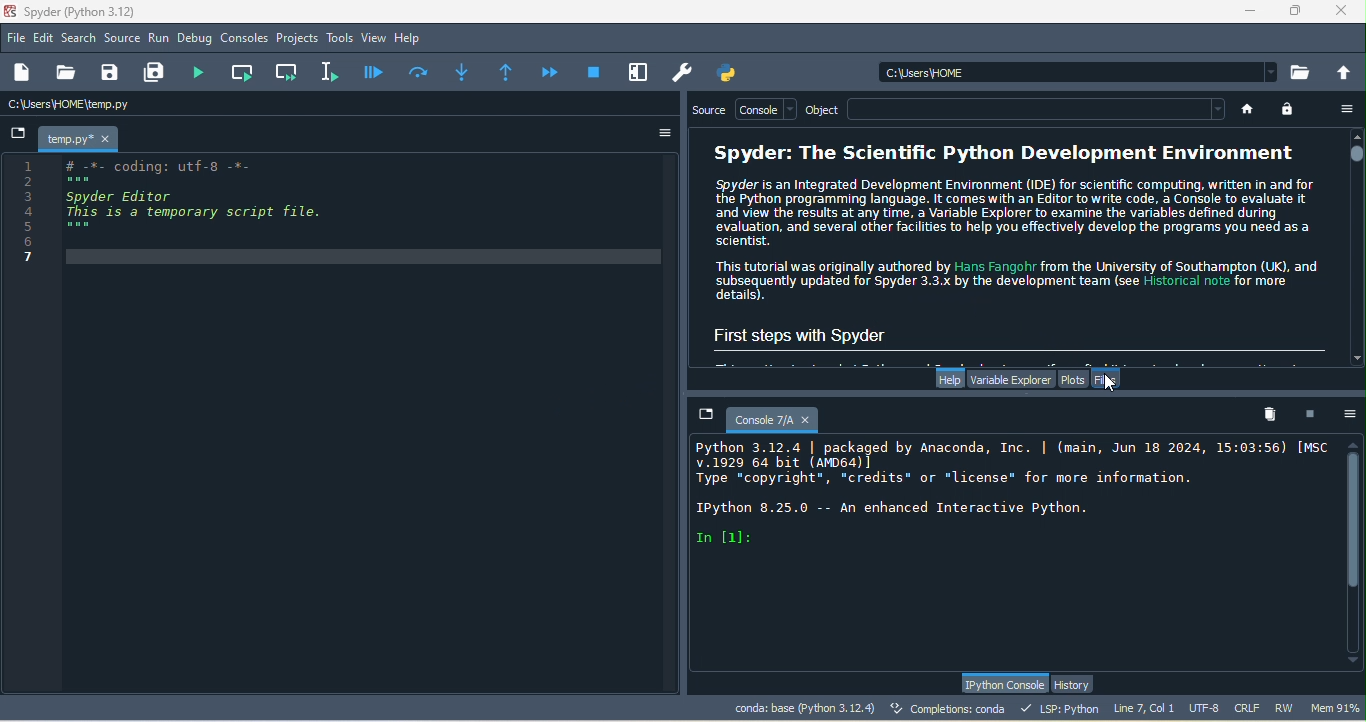 Image resolution: width=1366 pixels, height=722 pixels. What do you see at coordinates (1008, 495) in the screenshot?
I see `console text` at bounding box center [1008, 495].